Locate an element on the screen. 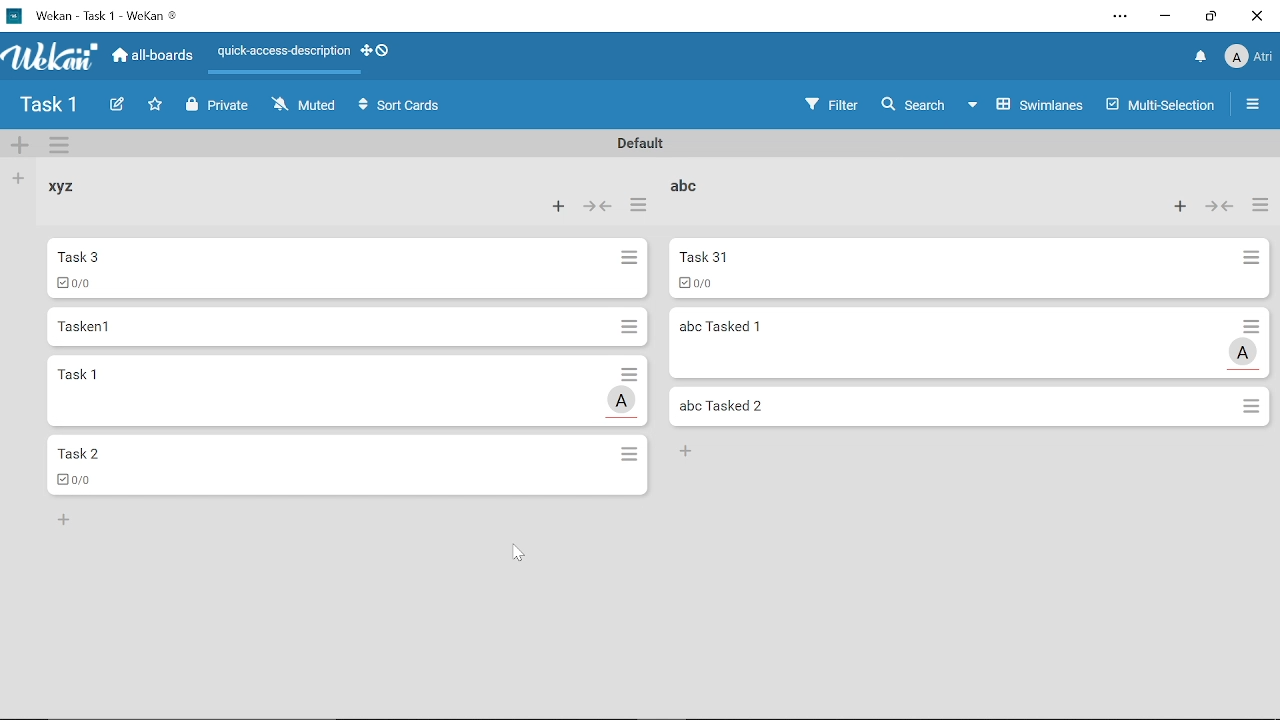 The image size is (1280, 720). Create is located at coordinates (116, 106).